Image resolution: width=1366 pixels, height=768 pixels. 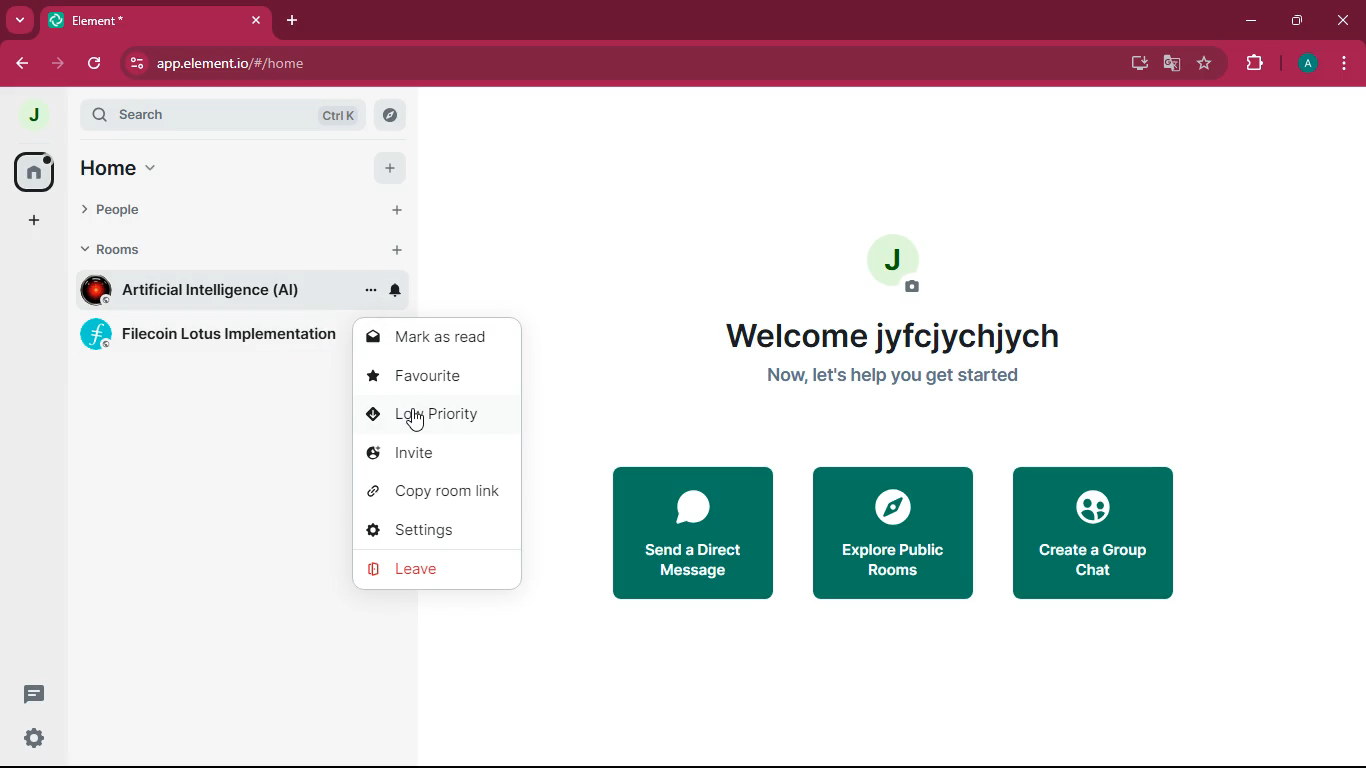 What do you see at coordinates (17, 20) in the screenshot?
I see `more` at bounding box center [17, 20].